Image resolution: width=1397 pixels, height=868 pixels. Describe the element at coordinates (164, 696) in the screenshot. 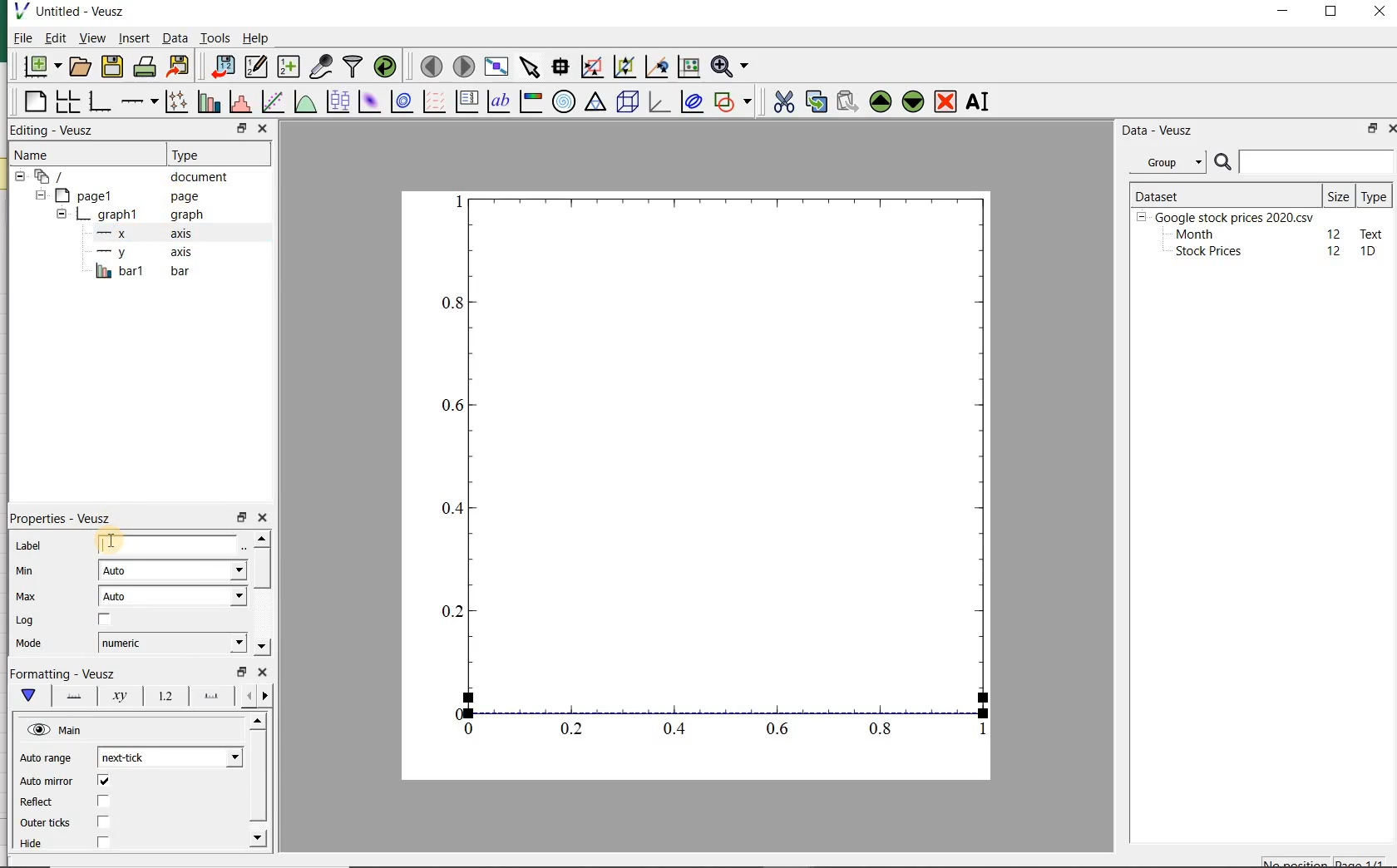

I see `tick labels` at that location.